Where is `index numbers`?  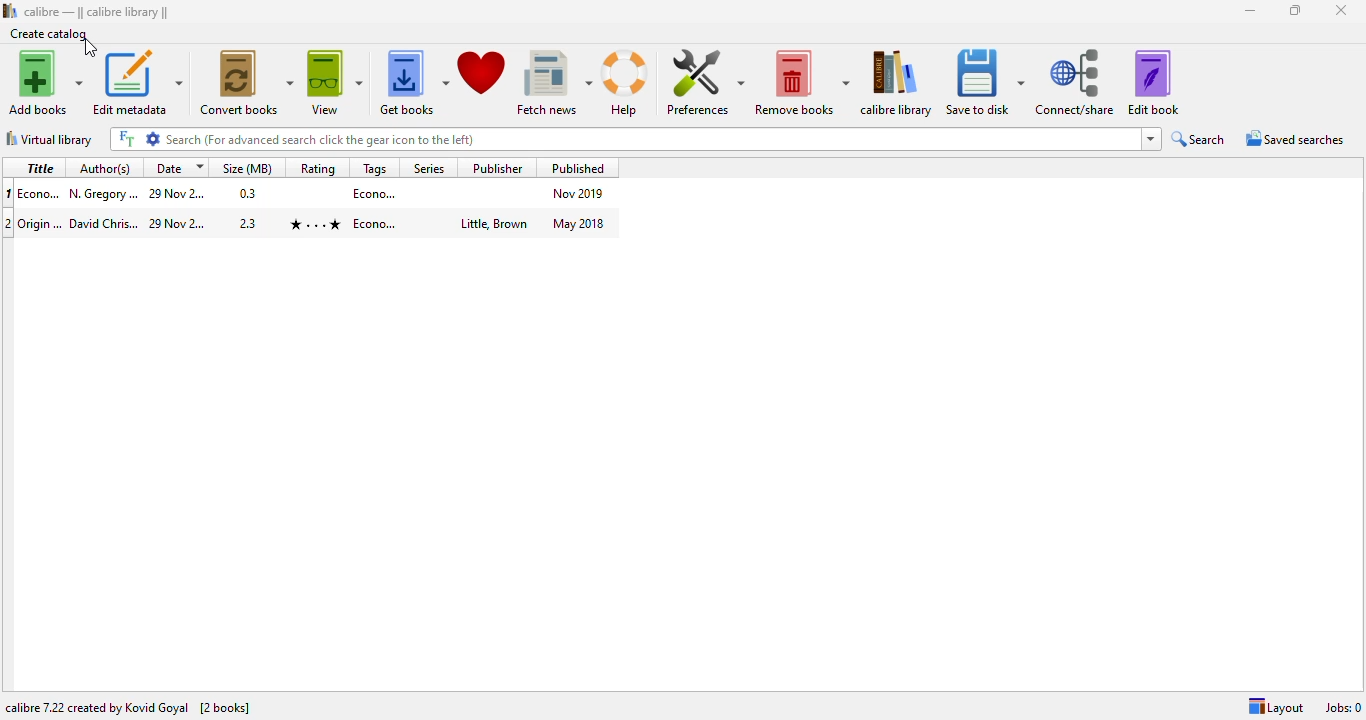 index numbers is located at coordinates (7, 208).